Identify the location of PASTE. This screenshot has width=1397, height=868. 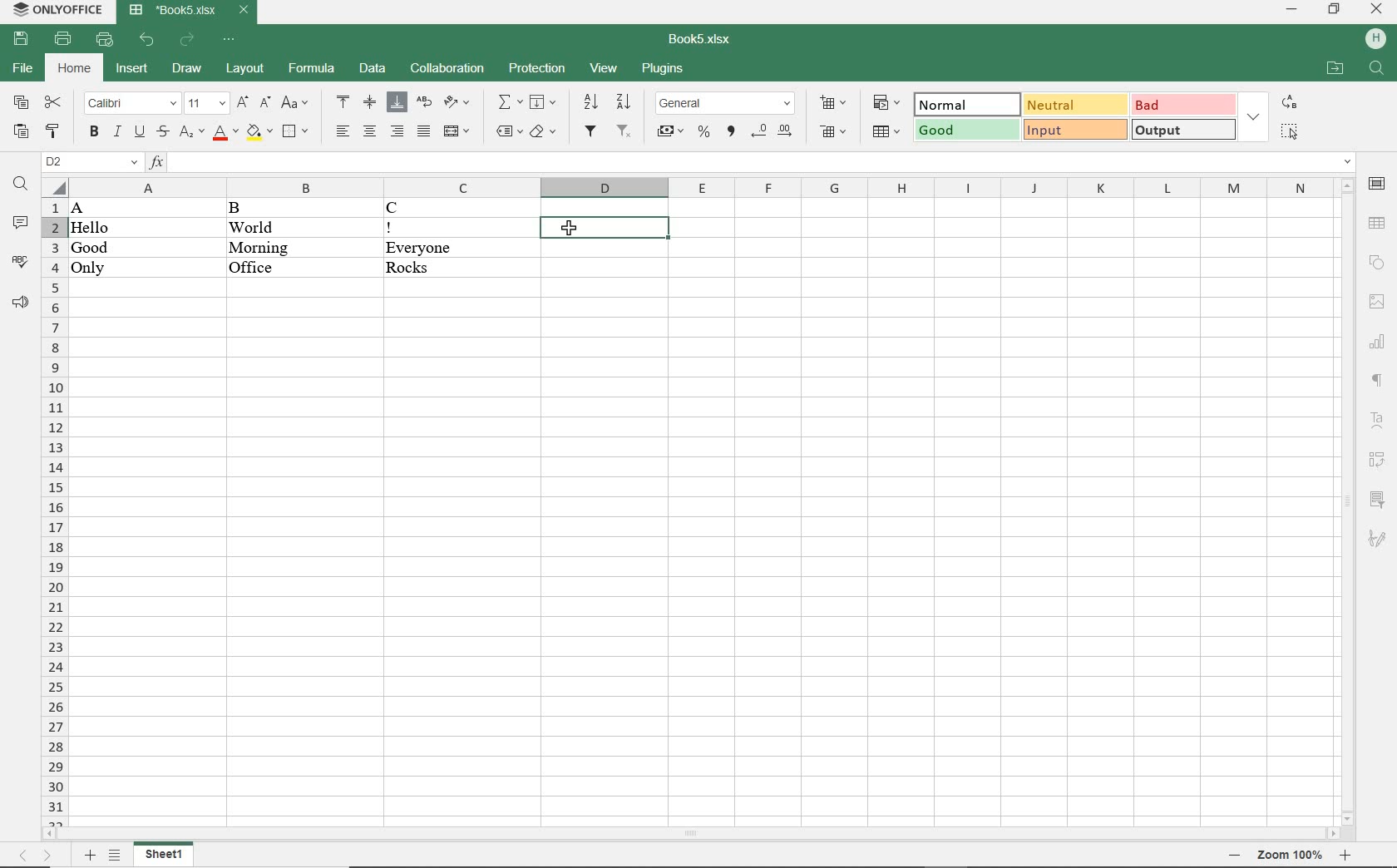
(20, 131).